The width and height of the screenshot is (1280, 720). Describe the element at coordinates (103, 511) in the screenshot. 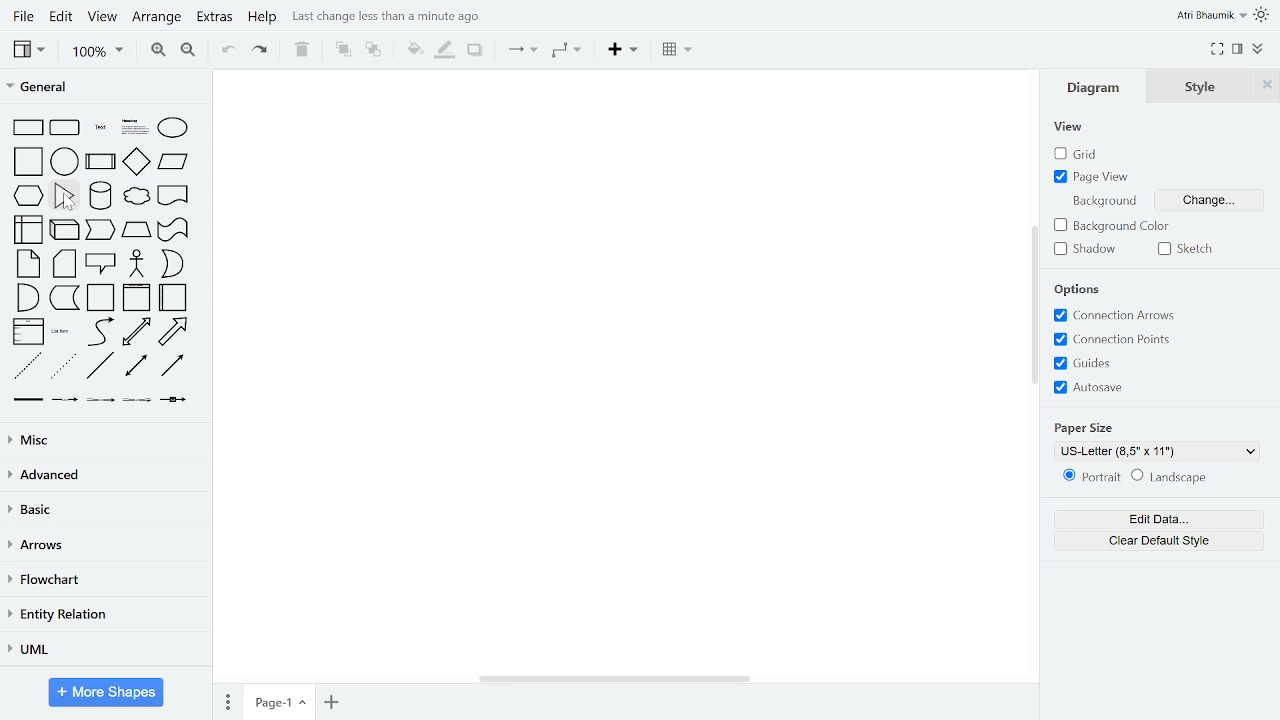

I see `basic` at that location.